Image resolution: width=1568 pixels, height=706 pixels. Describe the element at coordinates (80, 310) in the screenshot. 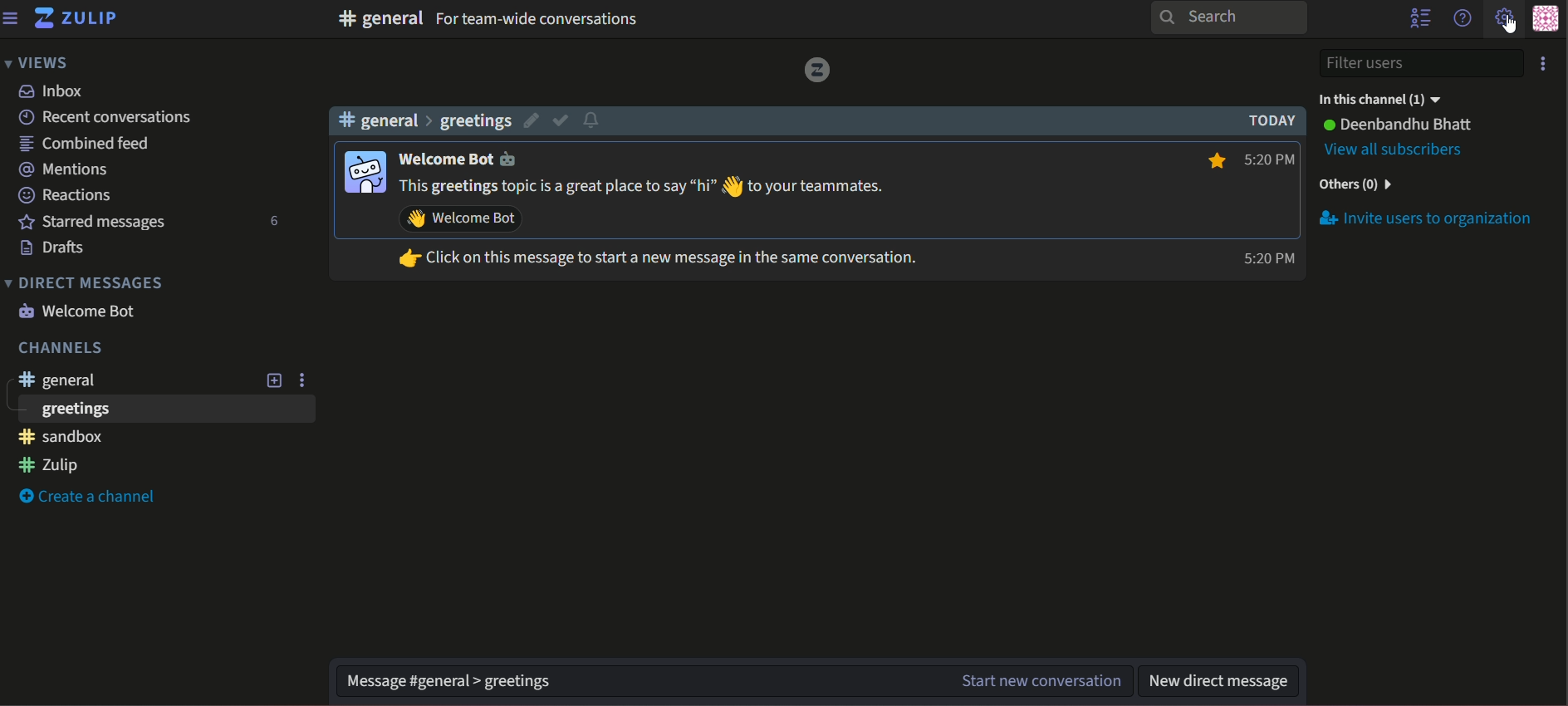

I see `welcome bot` at that location.